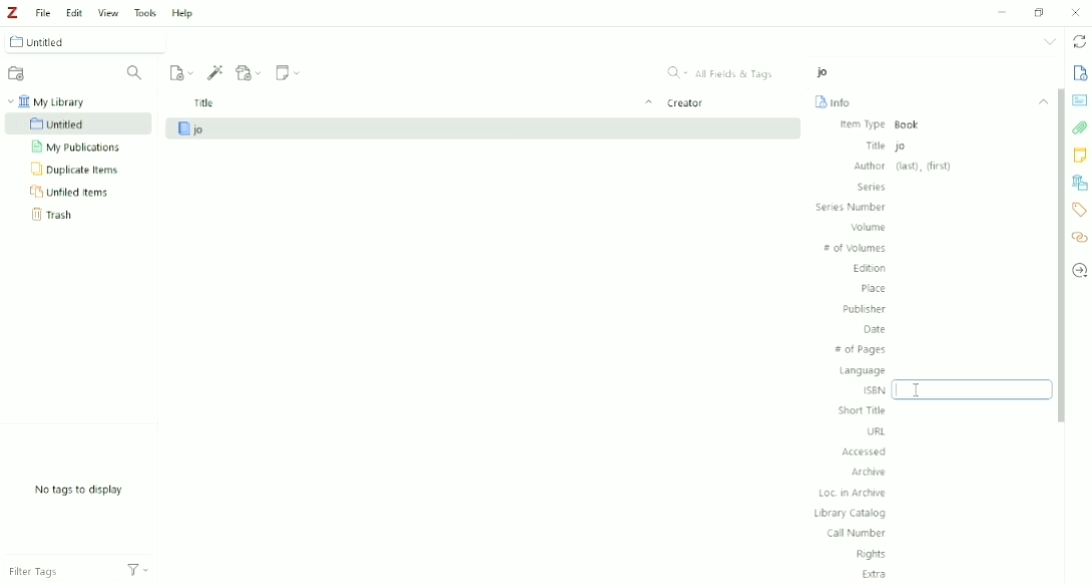  I want to click on All Fields & Tags, so click(726, 73).